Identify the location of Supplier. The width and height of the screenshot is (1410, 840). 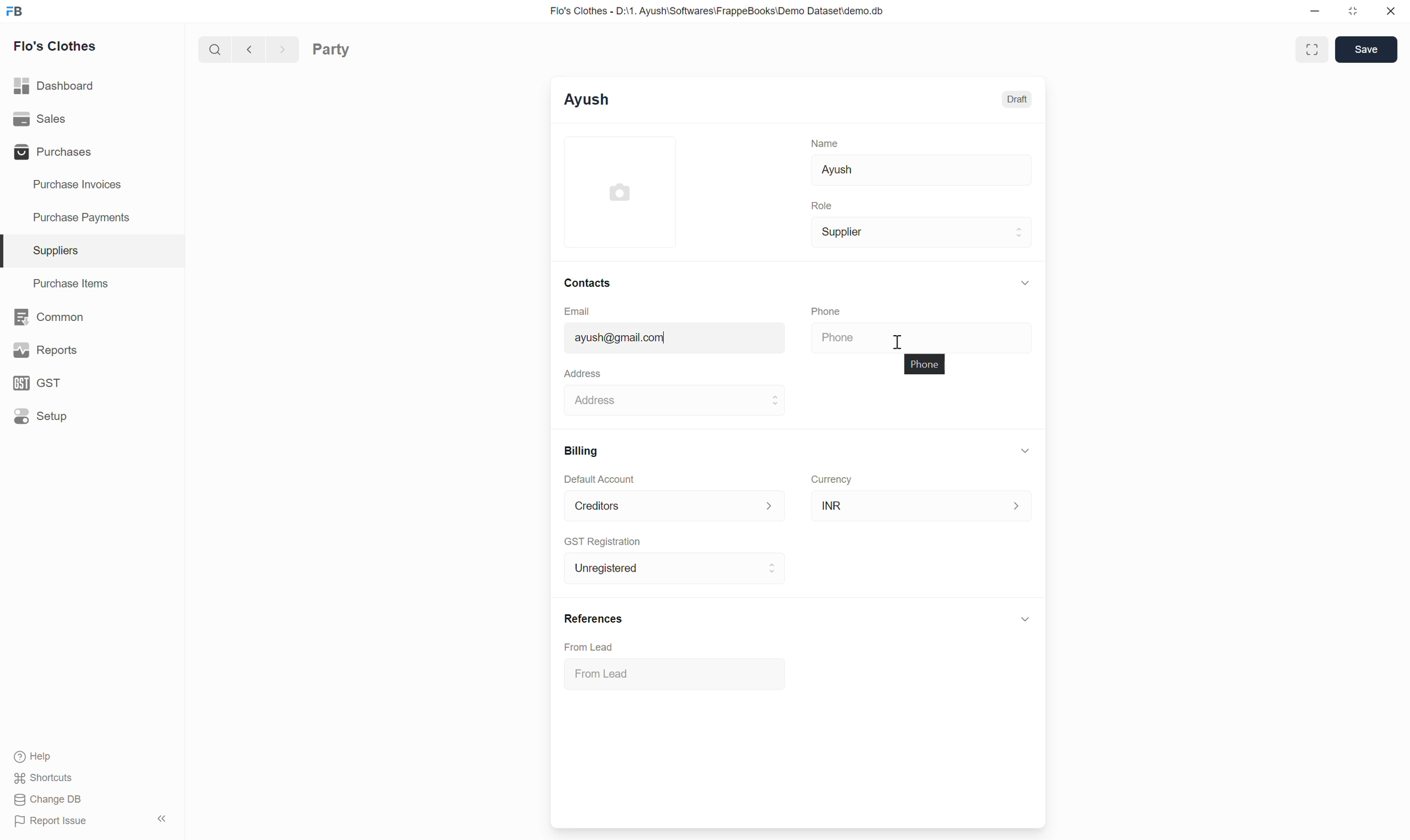
(921, 232).